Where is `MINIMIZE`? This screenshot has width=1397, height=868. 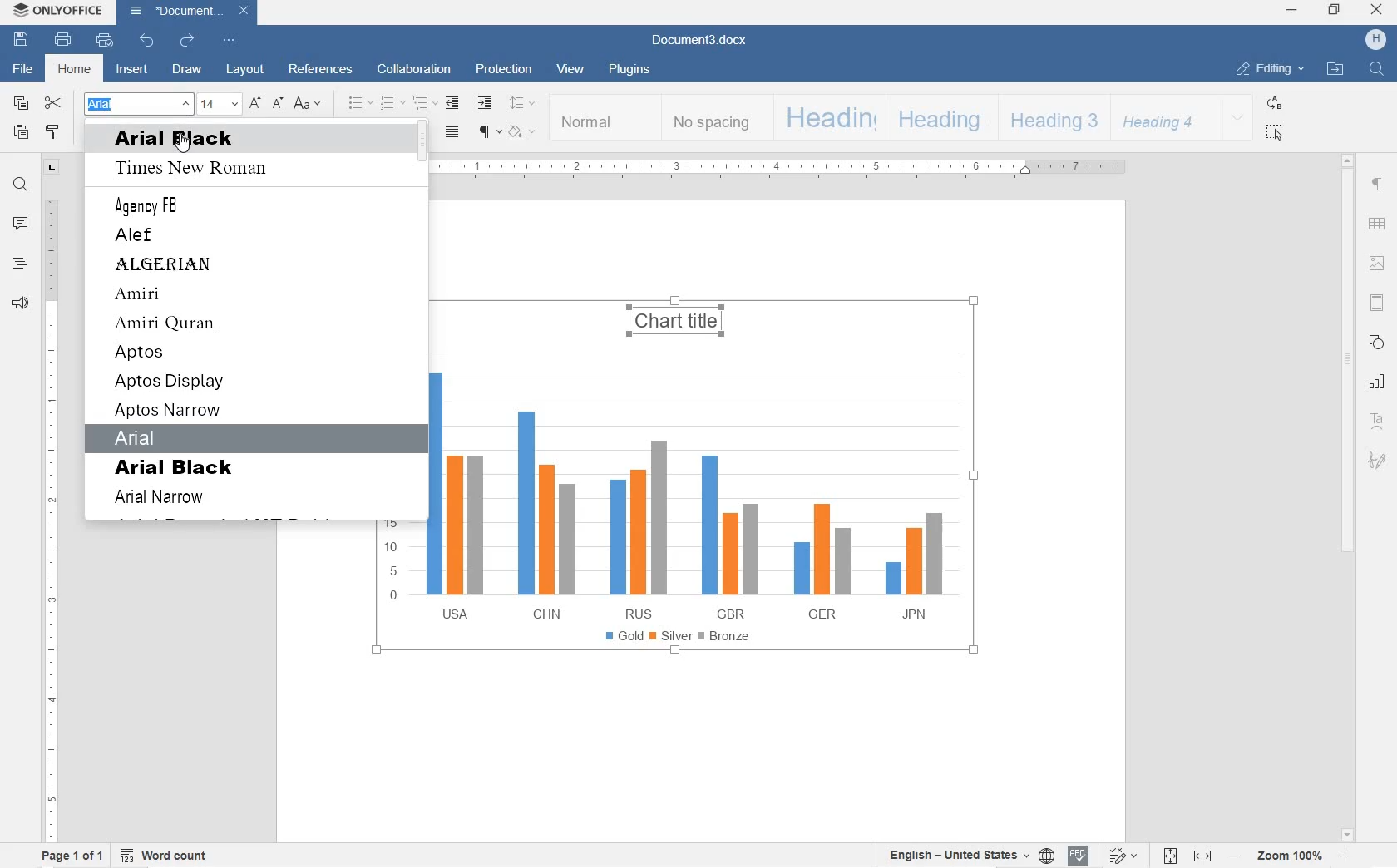 MINIMIZE is located at coordinates (1293, 11).